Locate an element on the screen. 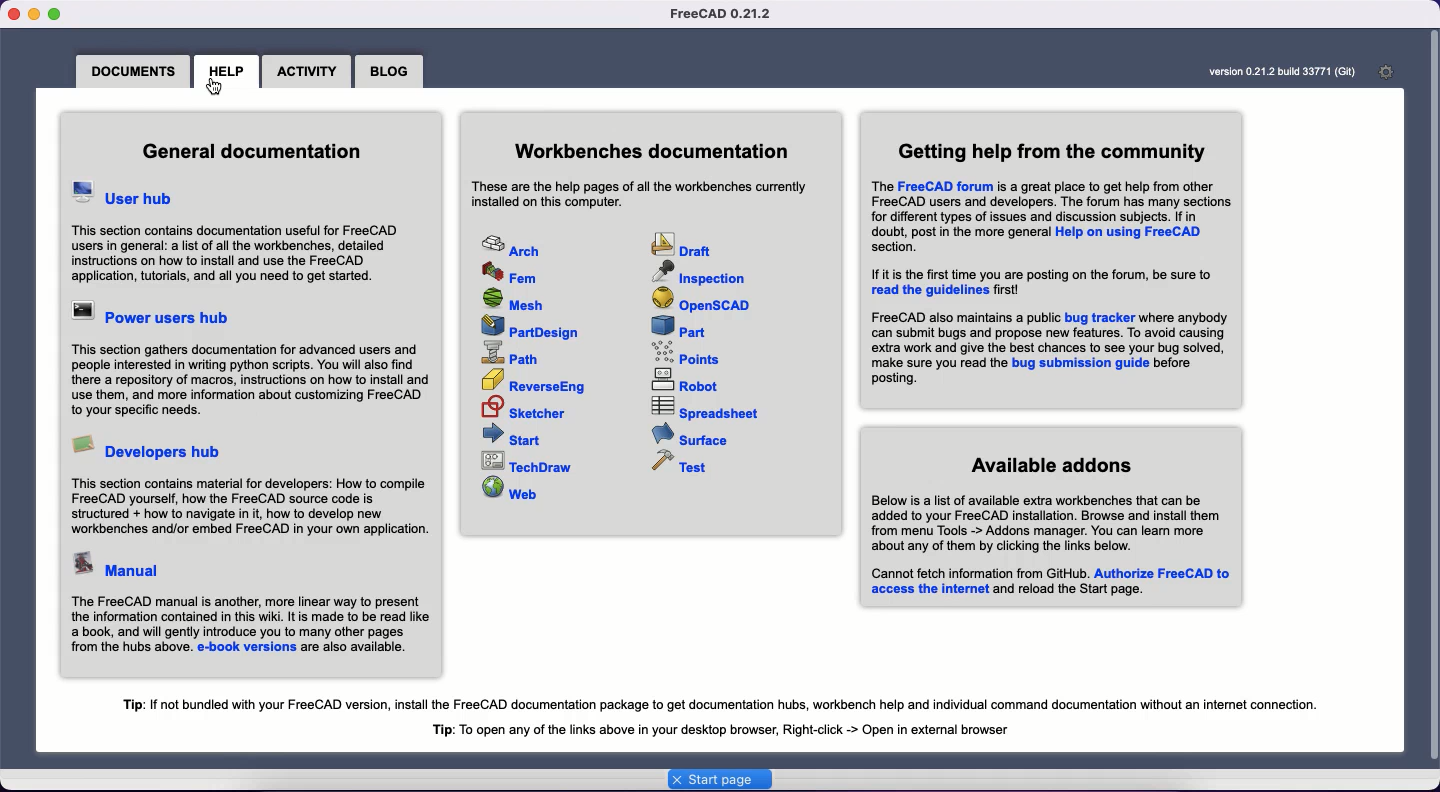  General documentation is located at coordinates (251, 151).